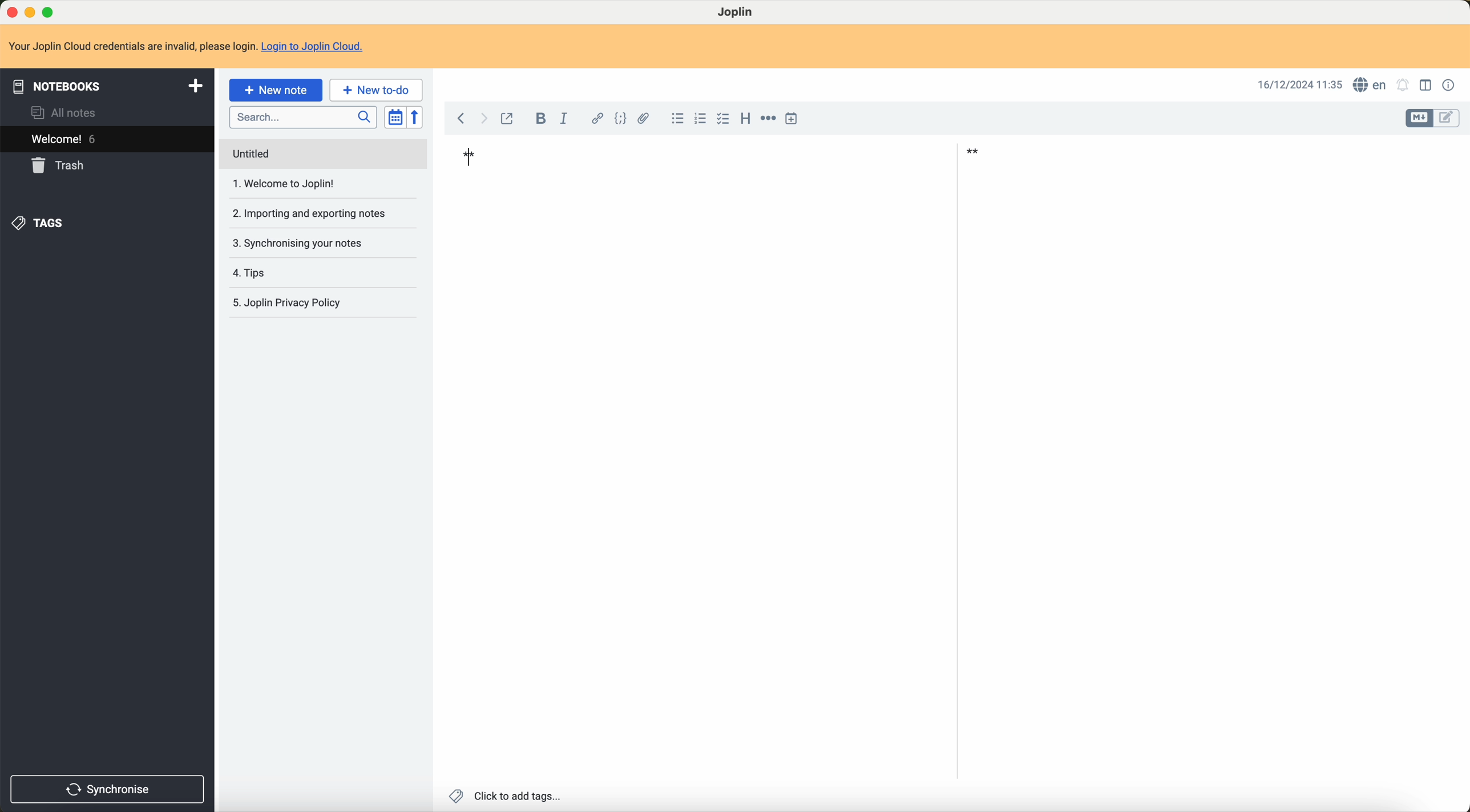 The height and width of the screenshot is (812, 1470). What do you see at coordinates (322, 155) in the screenshot?
I see `untitled` at bounding box center [322, 155].